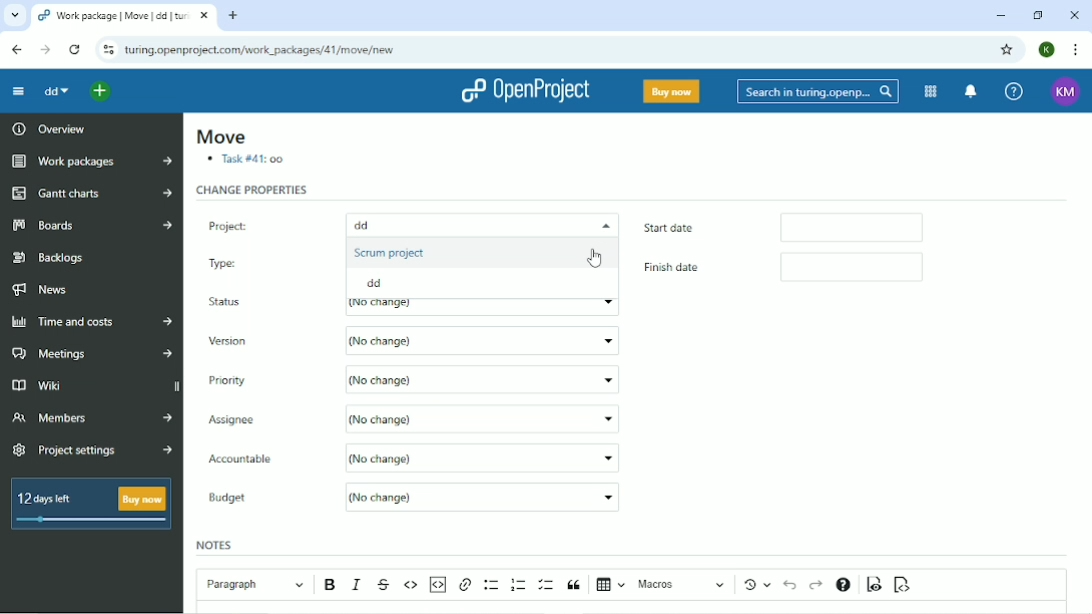 This screenshot has height=614, width=1092. What do you see at coordinates (685, 269) in the screenshot?
I see `Finish date` at bounding box center [685, 269].